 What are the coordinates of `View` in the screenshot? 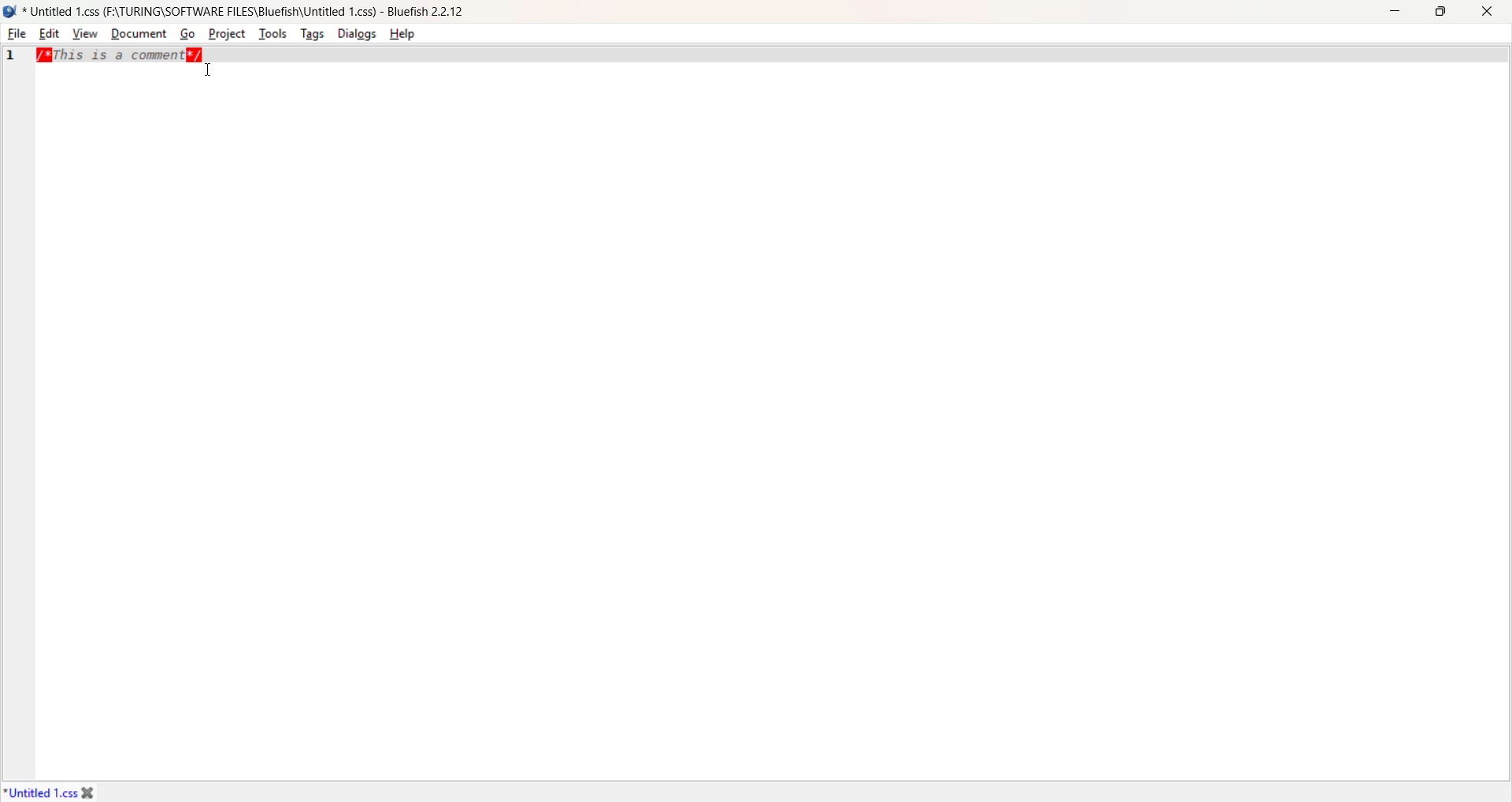 It's located at (84, 32).